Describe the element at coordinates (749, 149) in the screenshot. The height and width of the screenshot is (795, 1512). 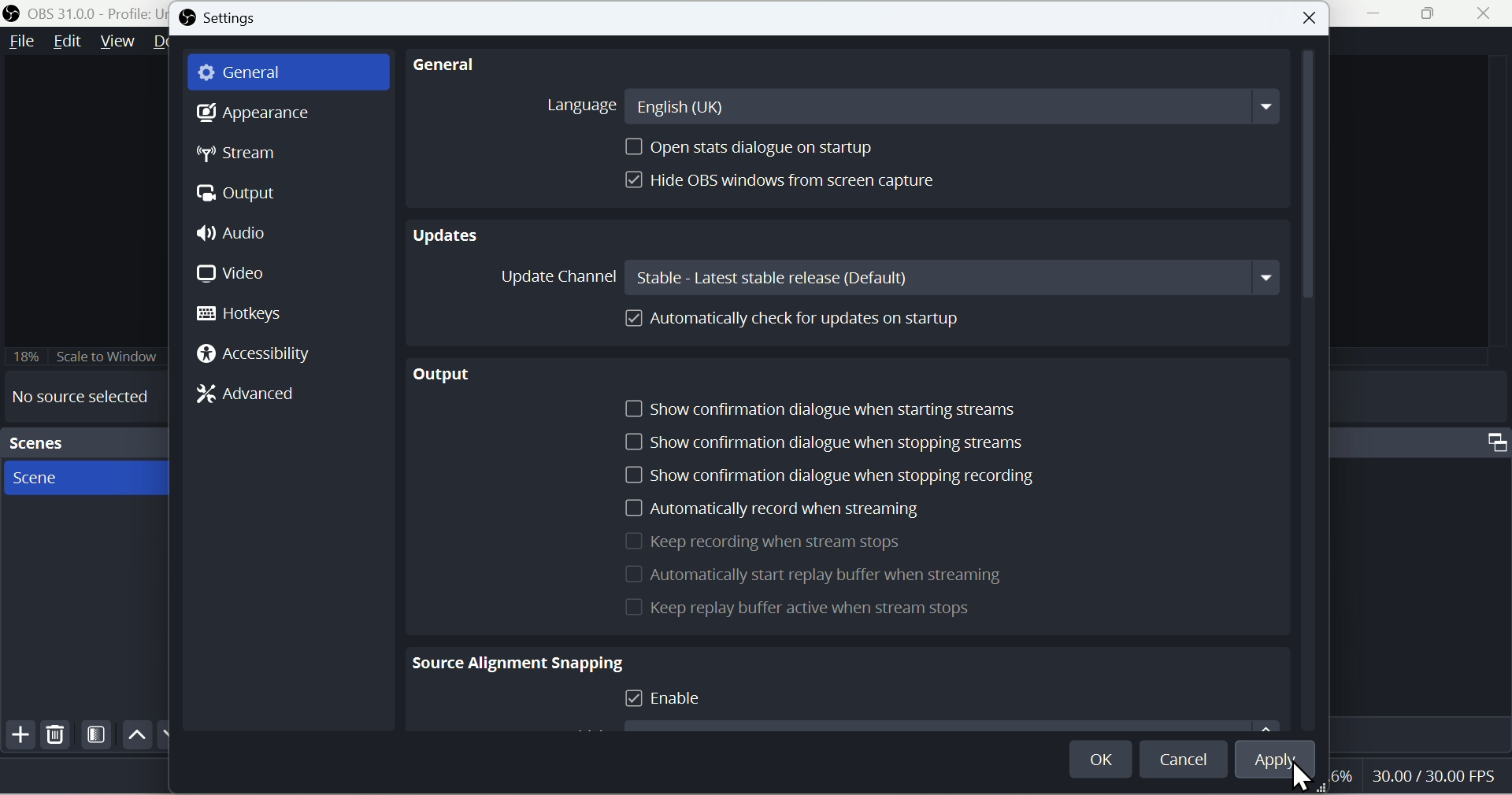
I see `Open stats dialogue` at that location.